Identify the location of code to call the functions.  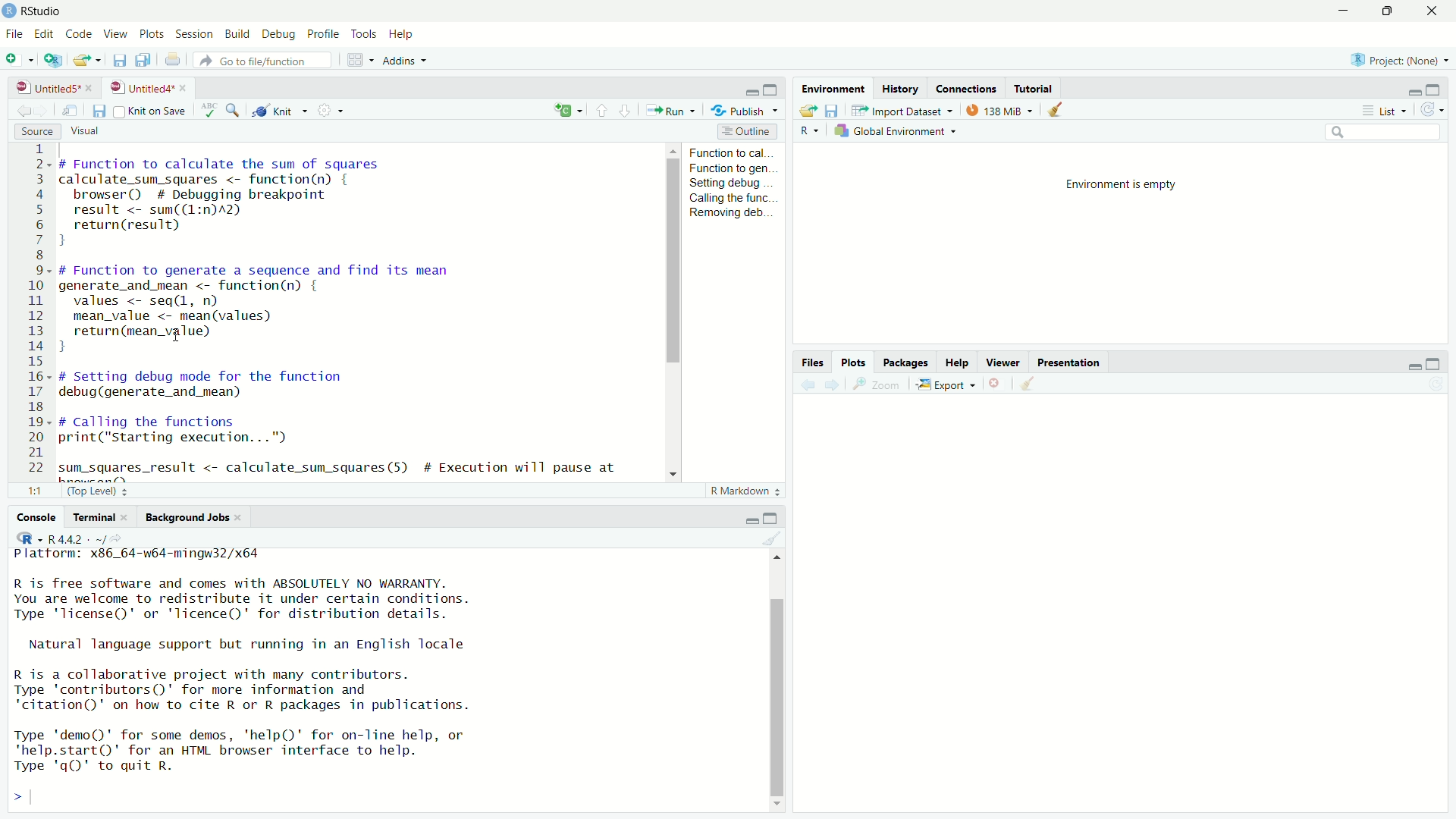
(190, 431).